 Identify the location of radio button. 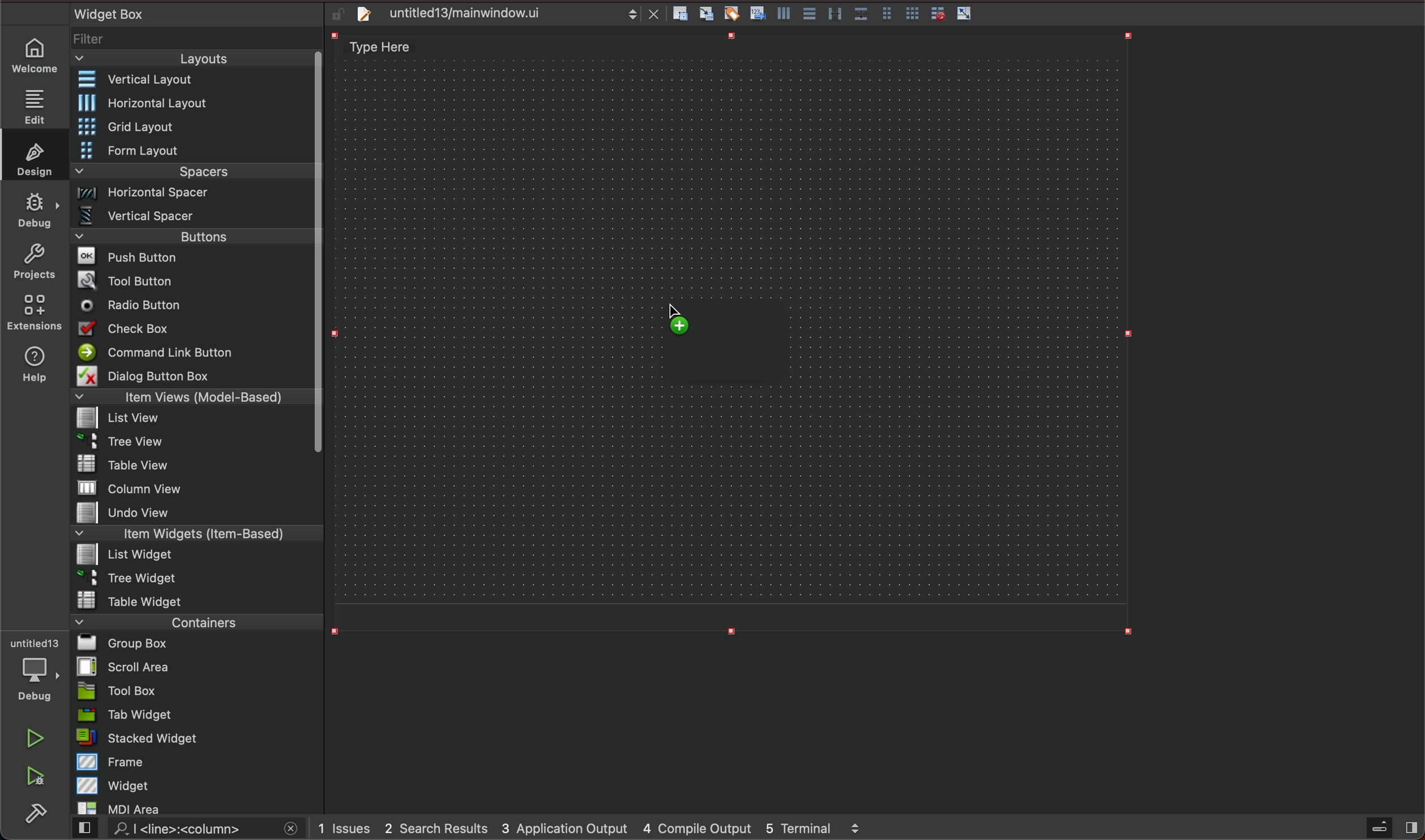
(191, 304).